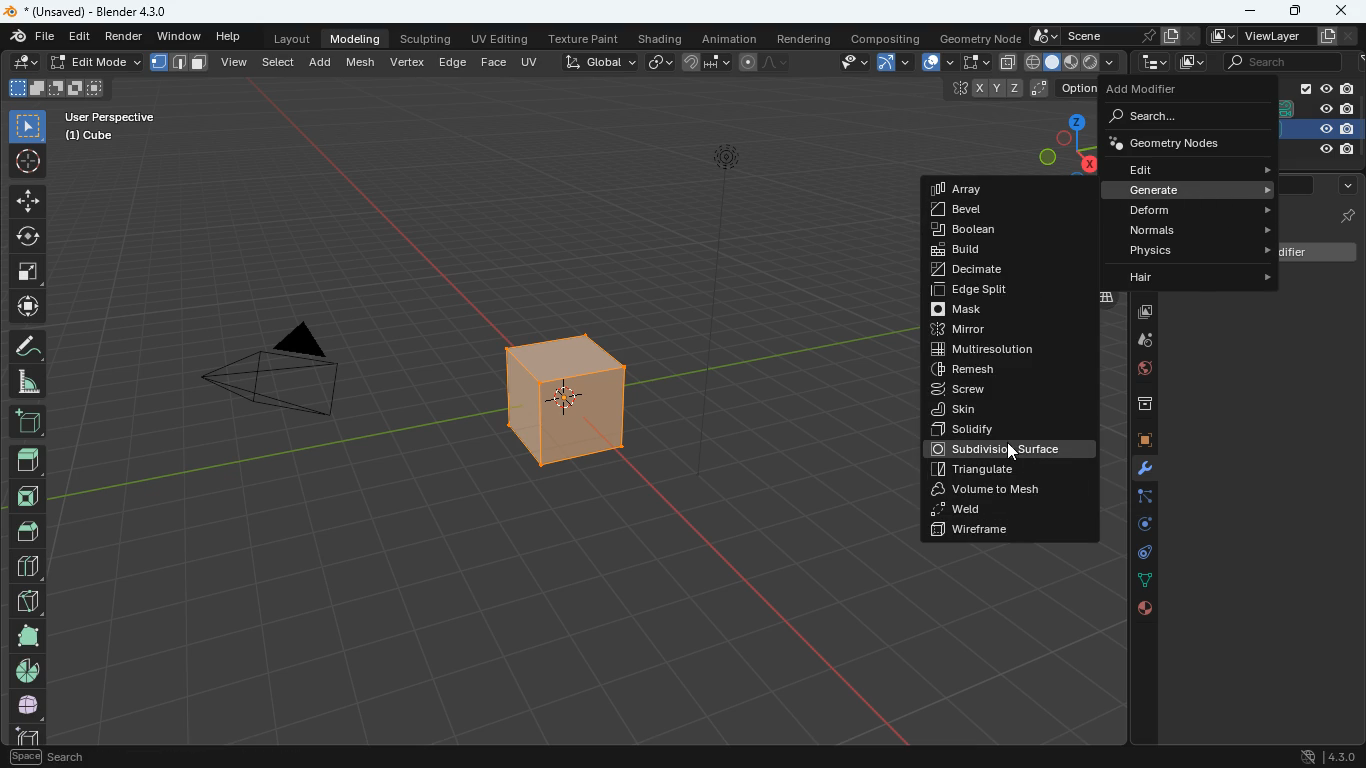 The width and height of the screenshot is (1366, 768). What do you see at coordinates (1179, 170) in the screenshot?
I see `edit` at bounding box center [1179, 170].